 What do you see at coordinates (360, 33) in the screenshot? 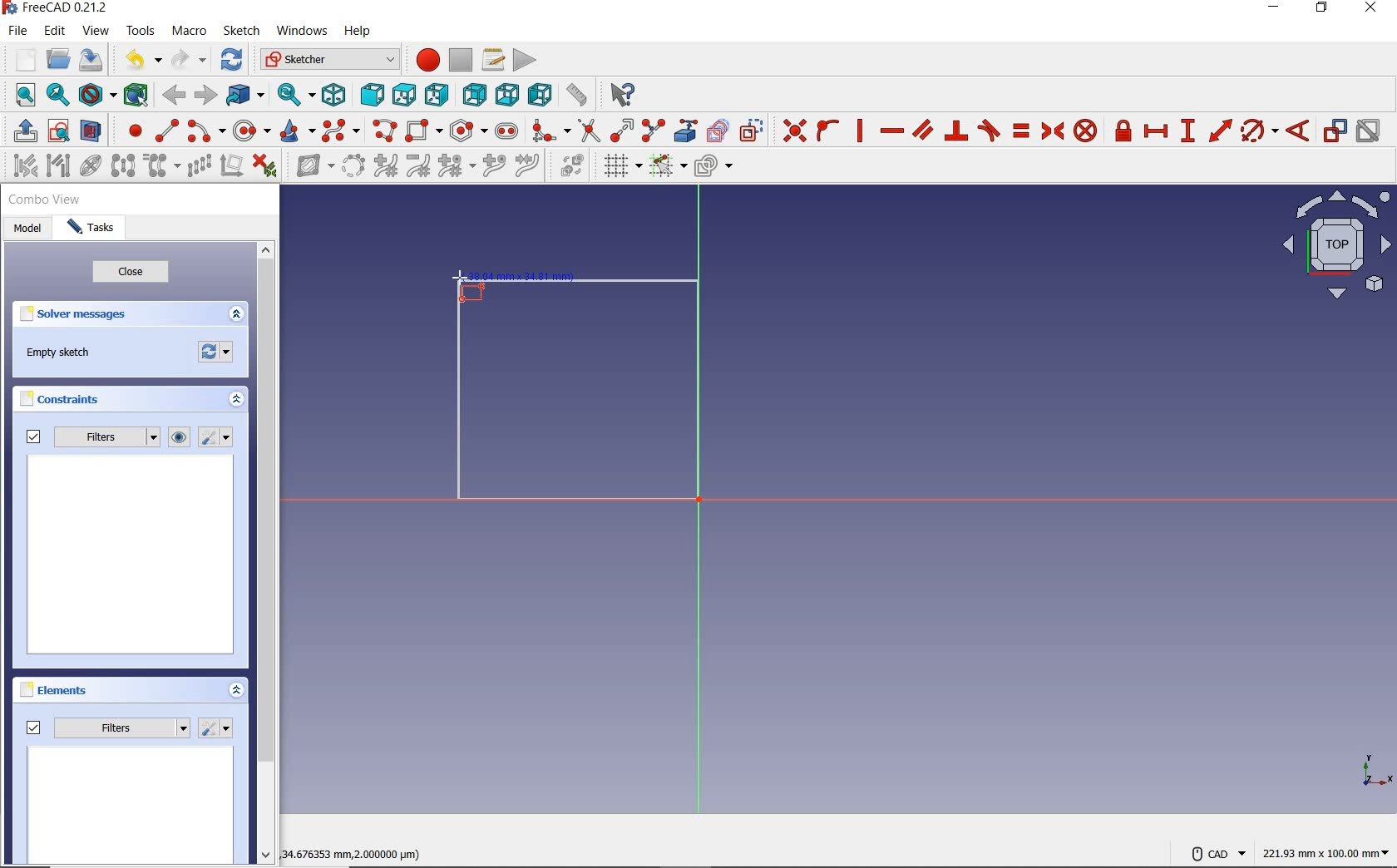
I see `help` at bounding box center [360, 33].